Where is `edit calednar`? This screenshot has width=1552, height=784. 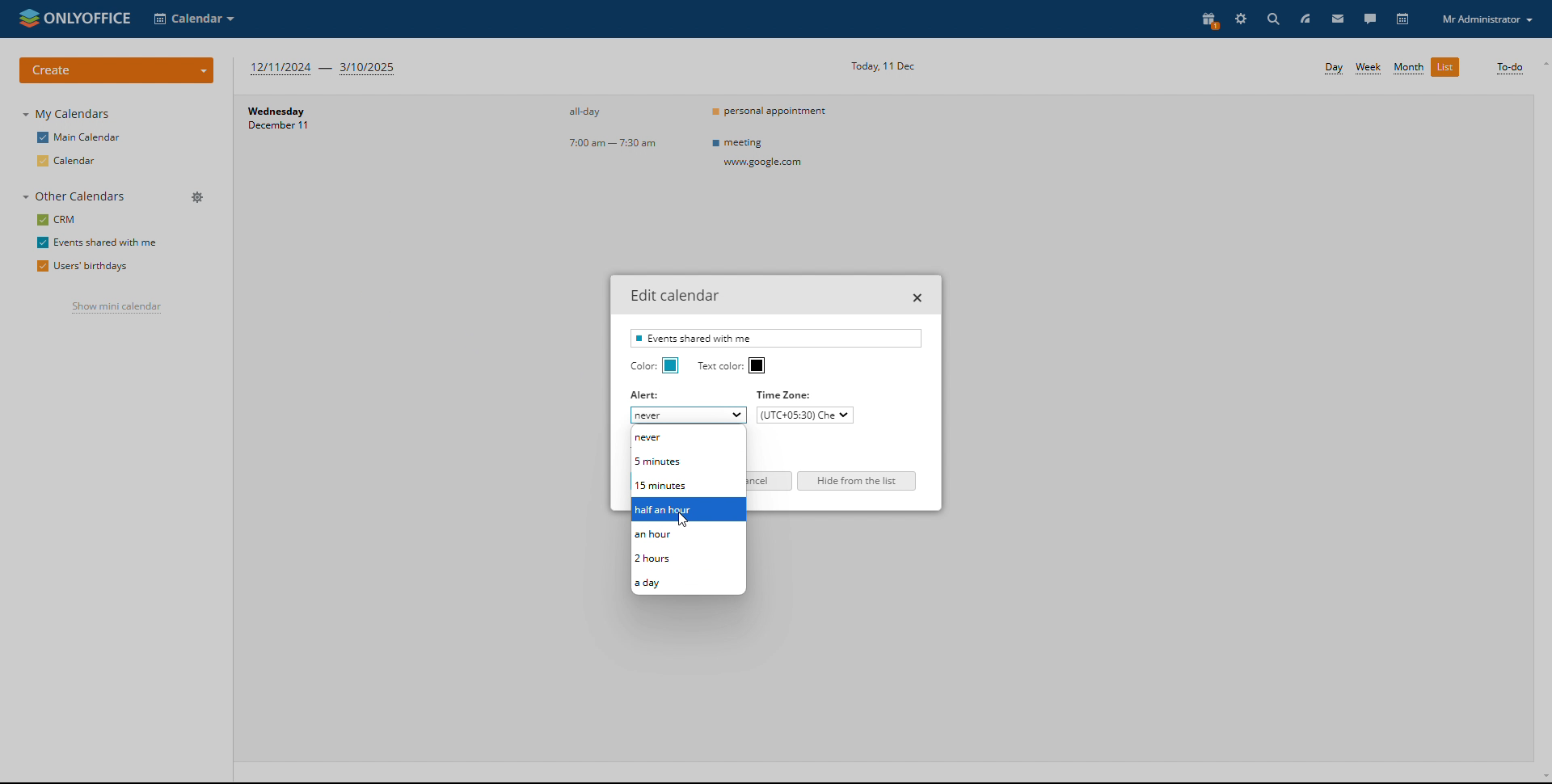 edit calednar is located at coordinates (675, 295).